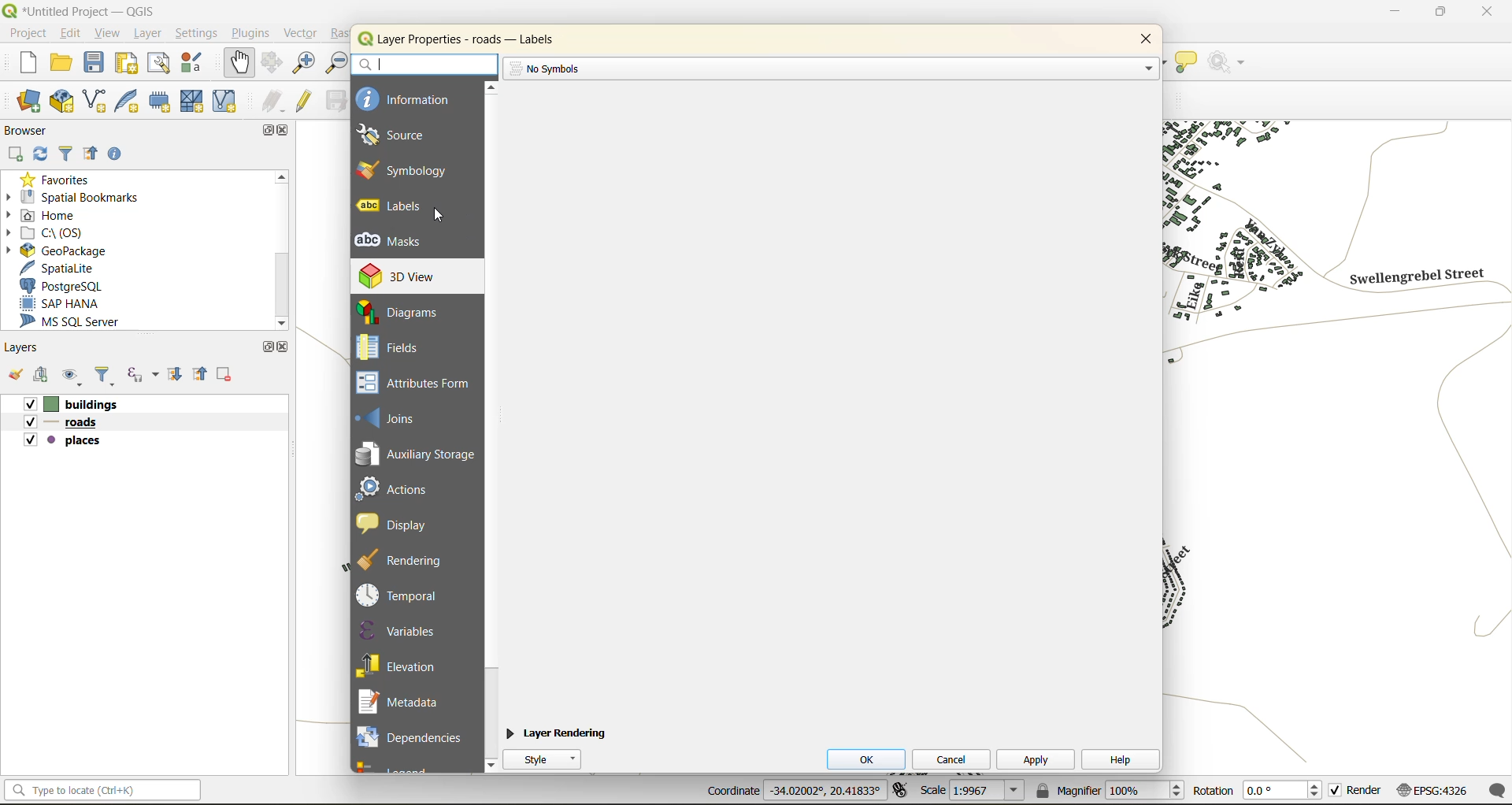  What do you see at coordinates (228, 102) in the screenshot?
I see `new virtual layer` at bounding box center [228, 102].